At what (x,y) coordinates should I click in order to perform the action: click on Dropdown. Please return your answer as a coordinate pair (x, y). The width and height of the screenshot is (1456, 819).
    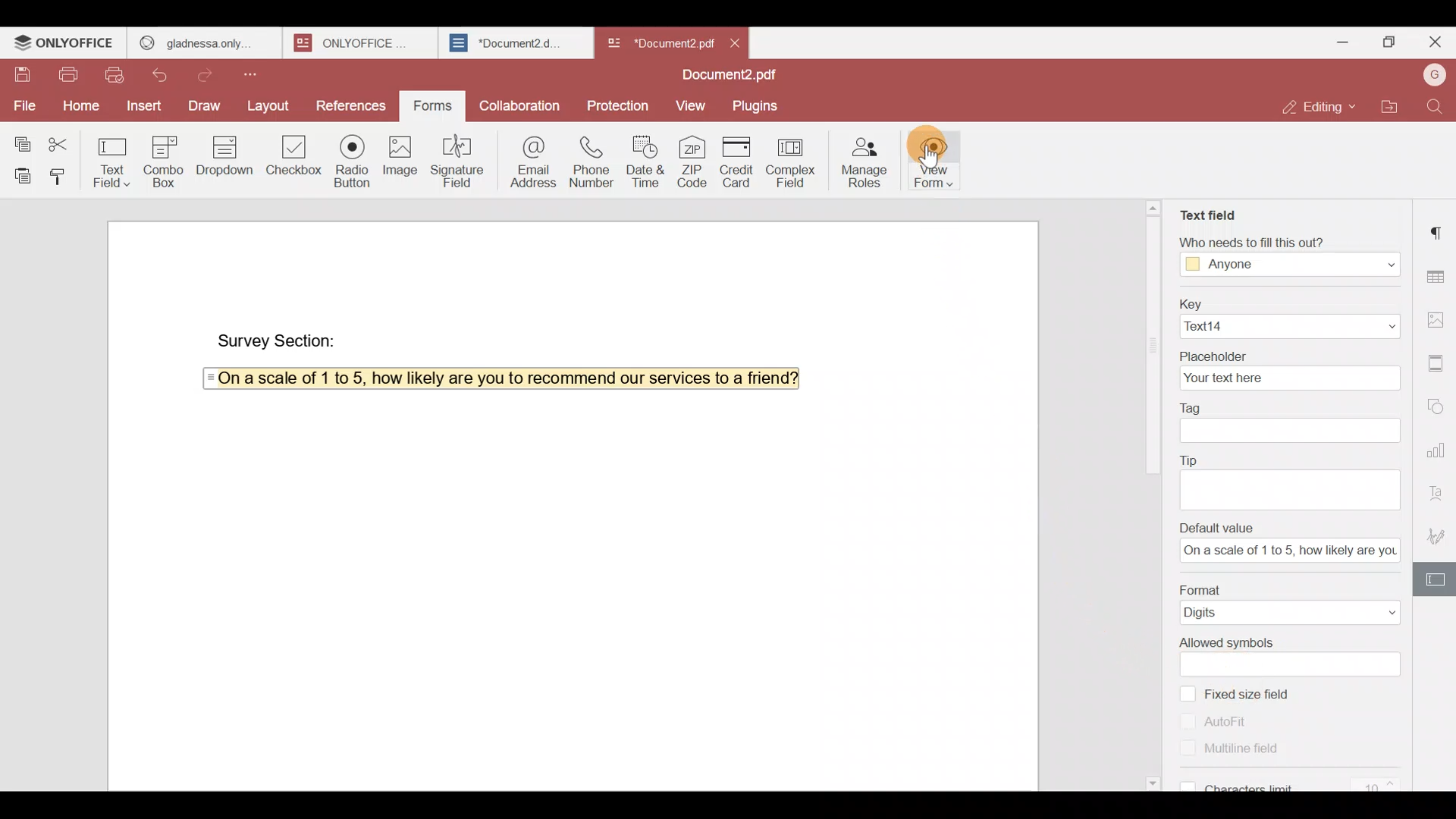
    Looking at the image, I should click on (221, 158).